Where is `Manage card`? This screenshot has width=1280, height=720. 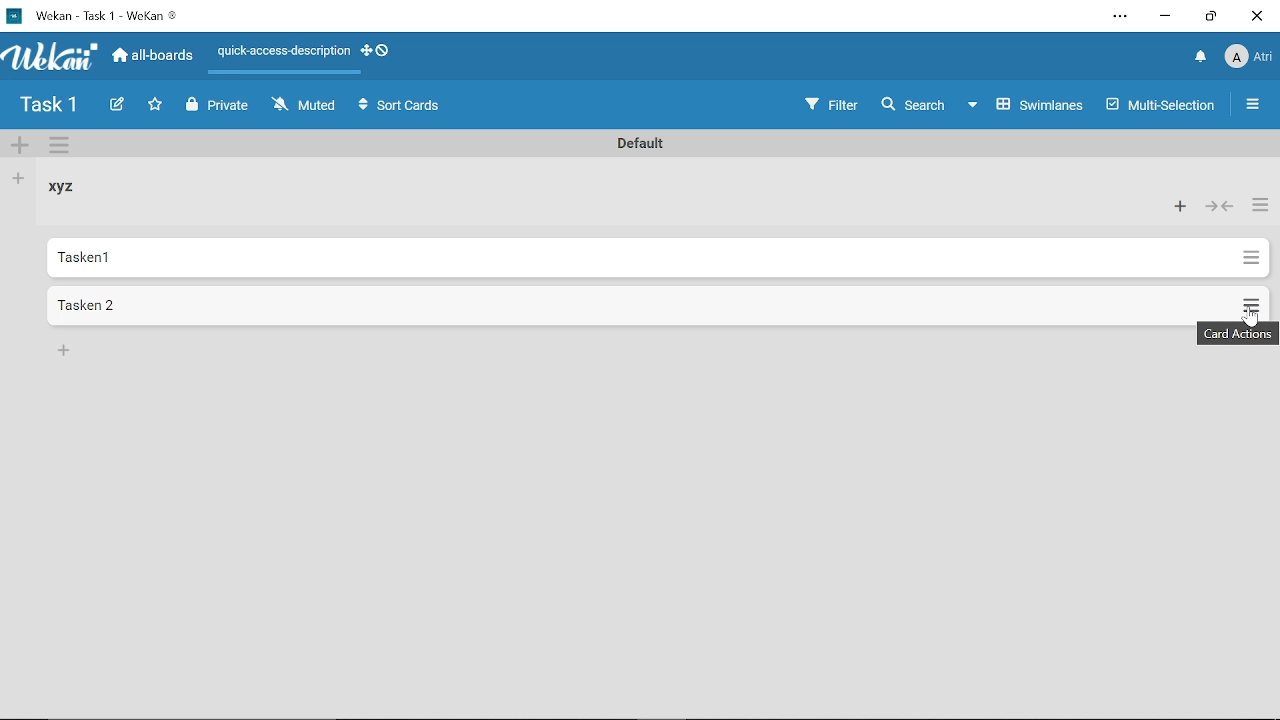 Manage card is located at coordinates (1250, 258).